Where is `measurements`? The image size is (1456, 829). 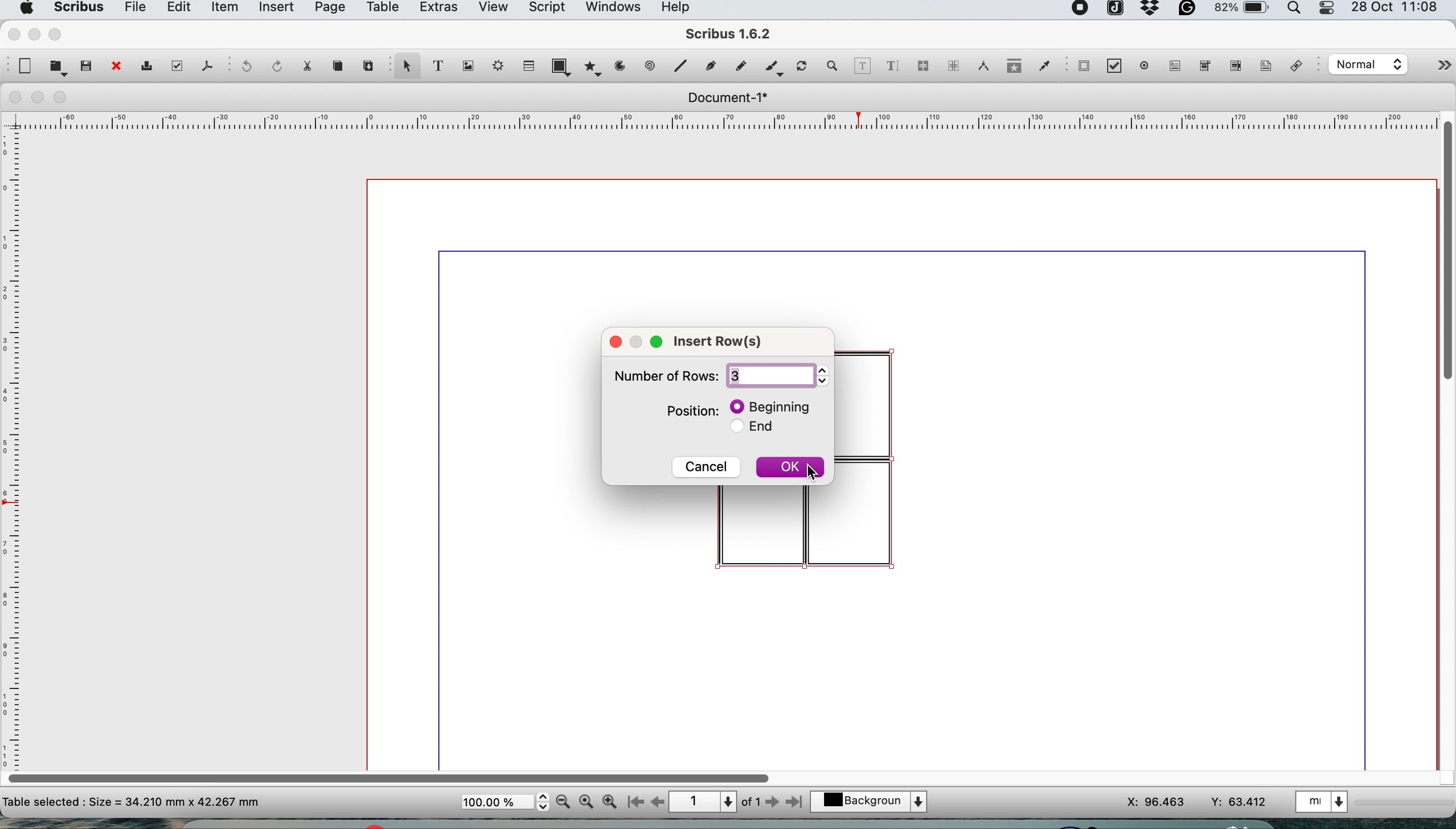
measurements is located at coordinates (980, 66).